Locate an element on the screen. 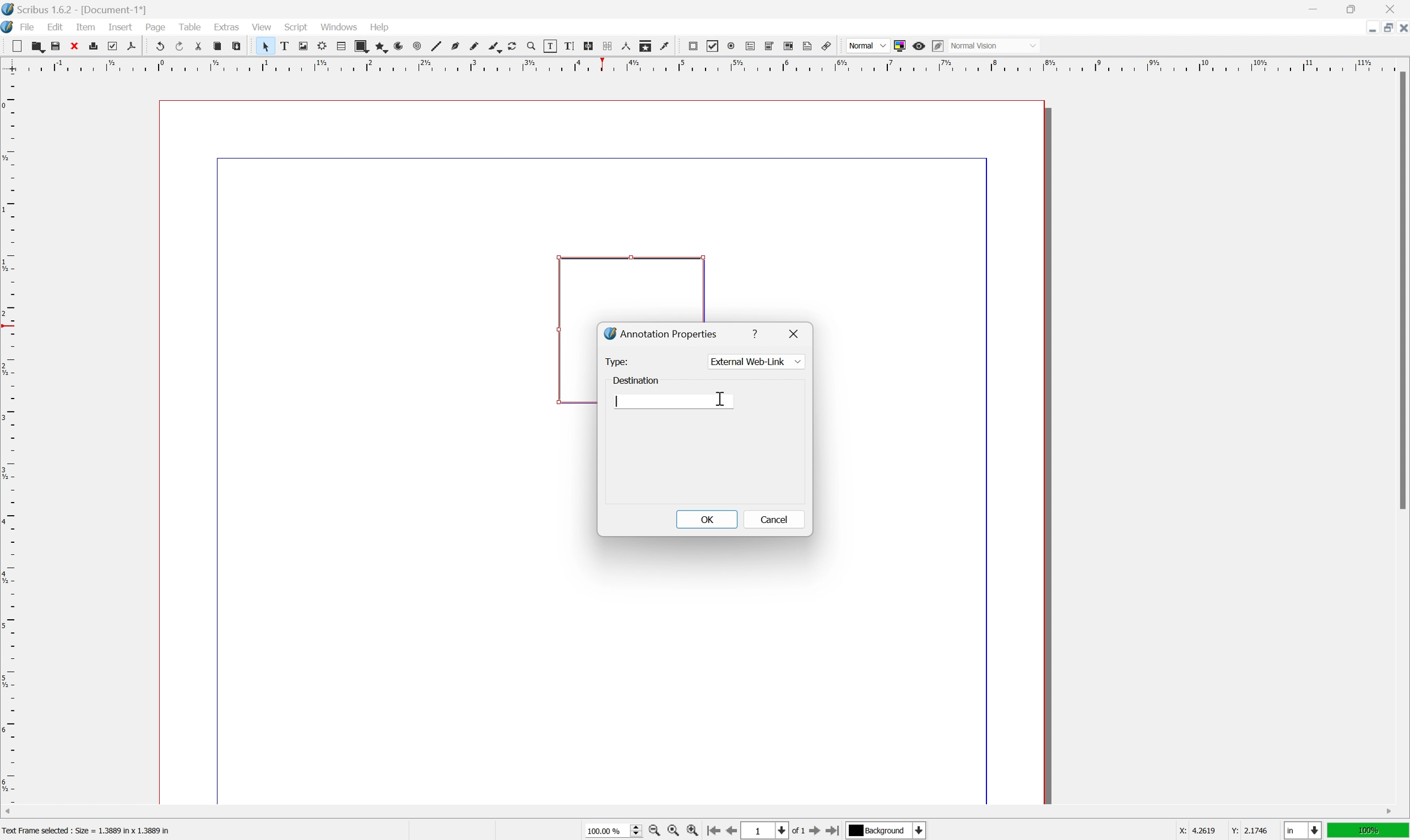 Image resolution: width=1410 pixels, height=840 pixels. table is located at coordinates (341, 46).